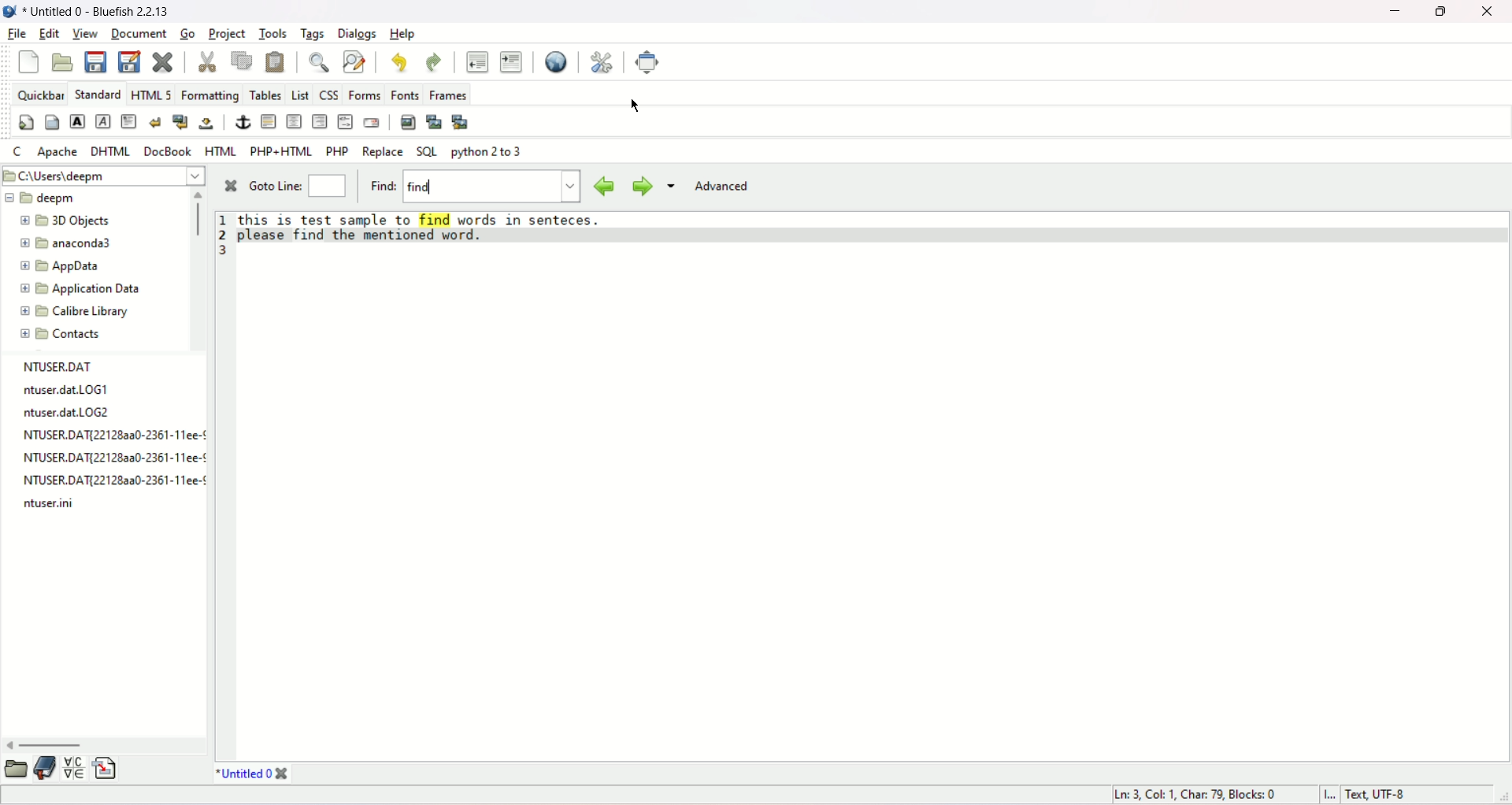 This screenshot has height=805, width=1512. I want to click on frames, so click(449, 94).